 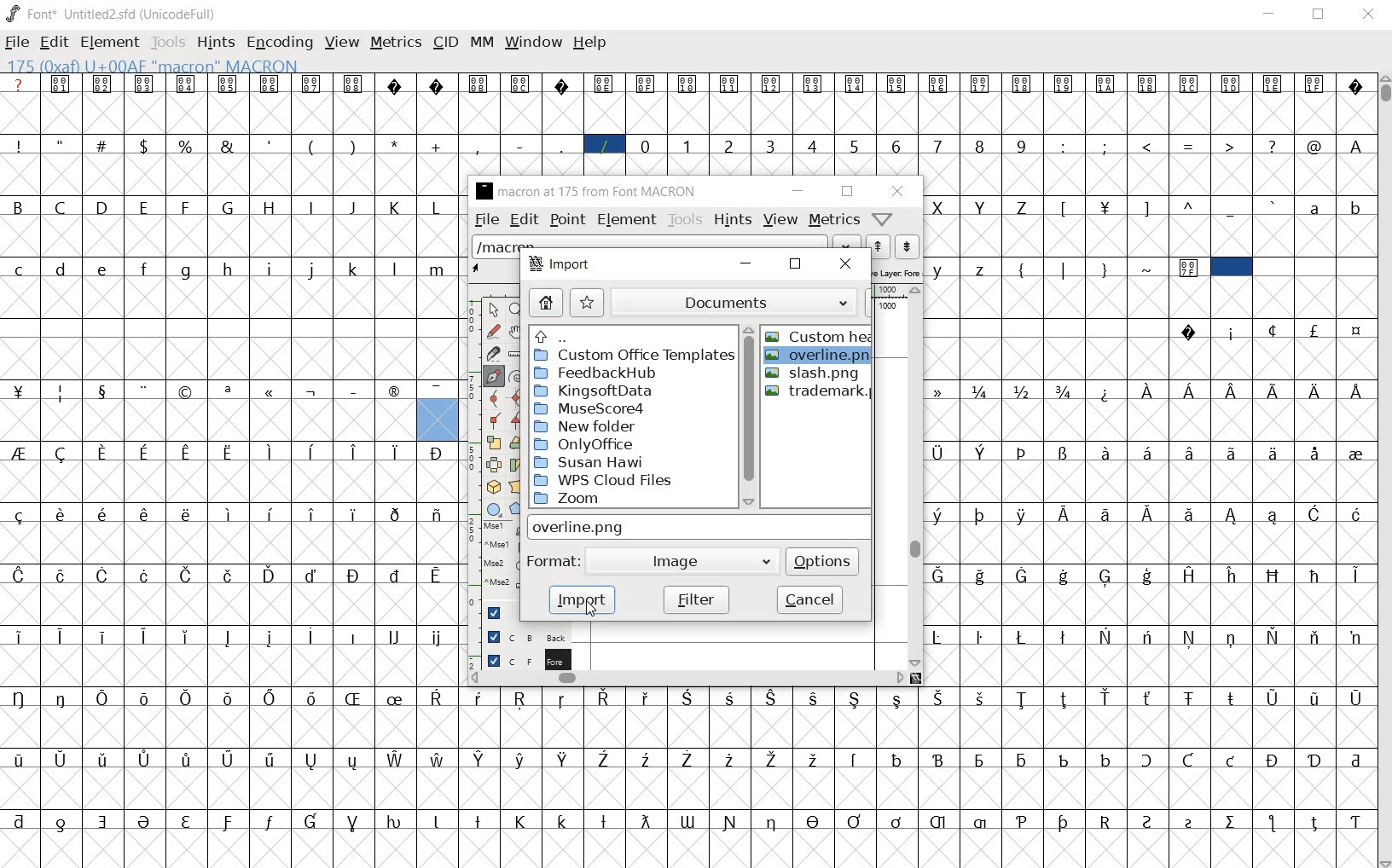 What do you see at coordinates (1354, 512) in the screenshot?
I see `Symbol` at bounding box center [1354, 512].